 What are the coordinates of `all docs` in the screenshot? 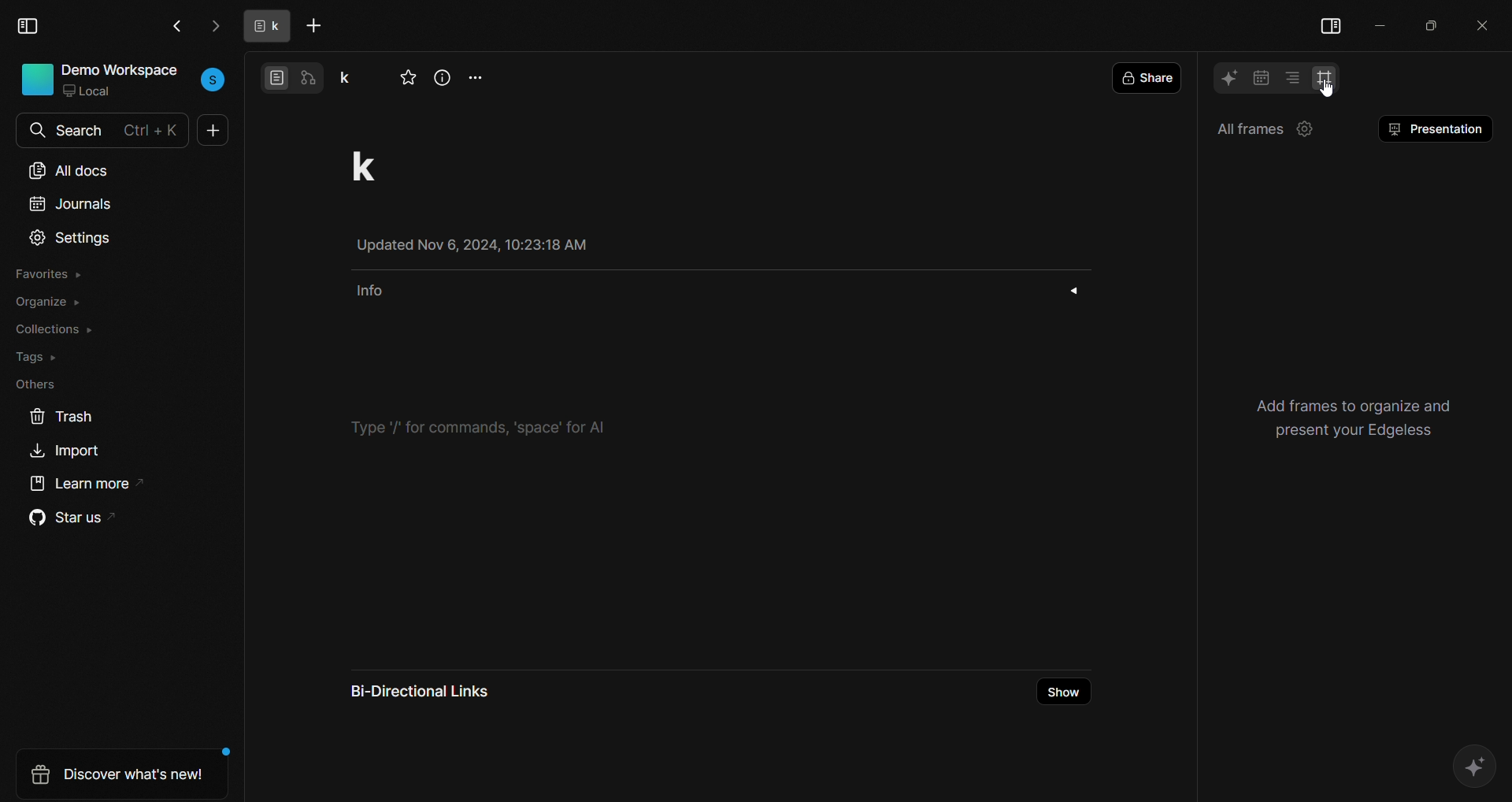 It's located at (69, 167).